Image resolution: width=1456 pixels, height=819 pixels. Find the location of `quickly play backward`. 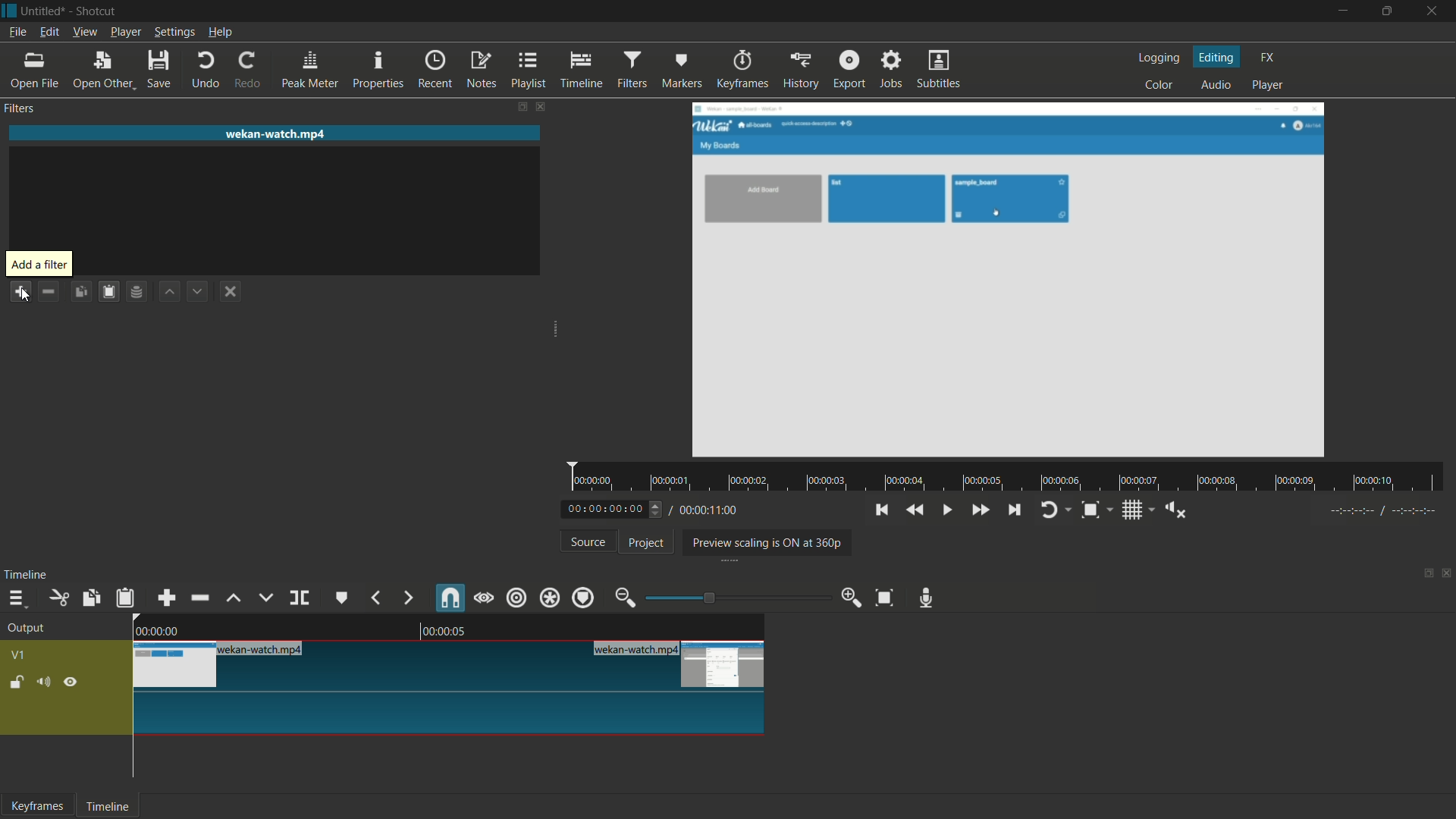

quickly play backward is located at coordinates (914, 510).